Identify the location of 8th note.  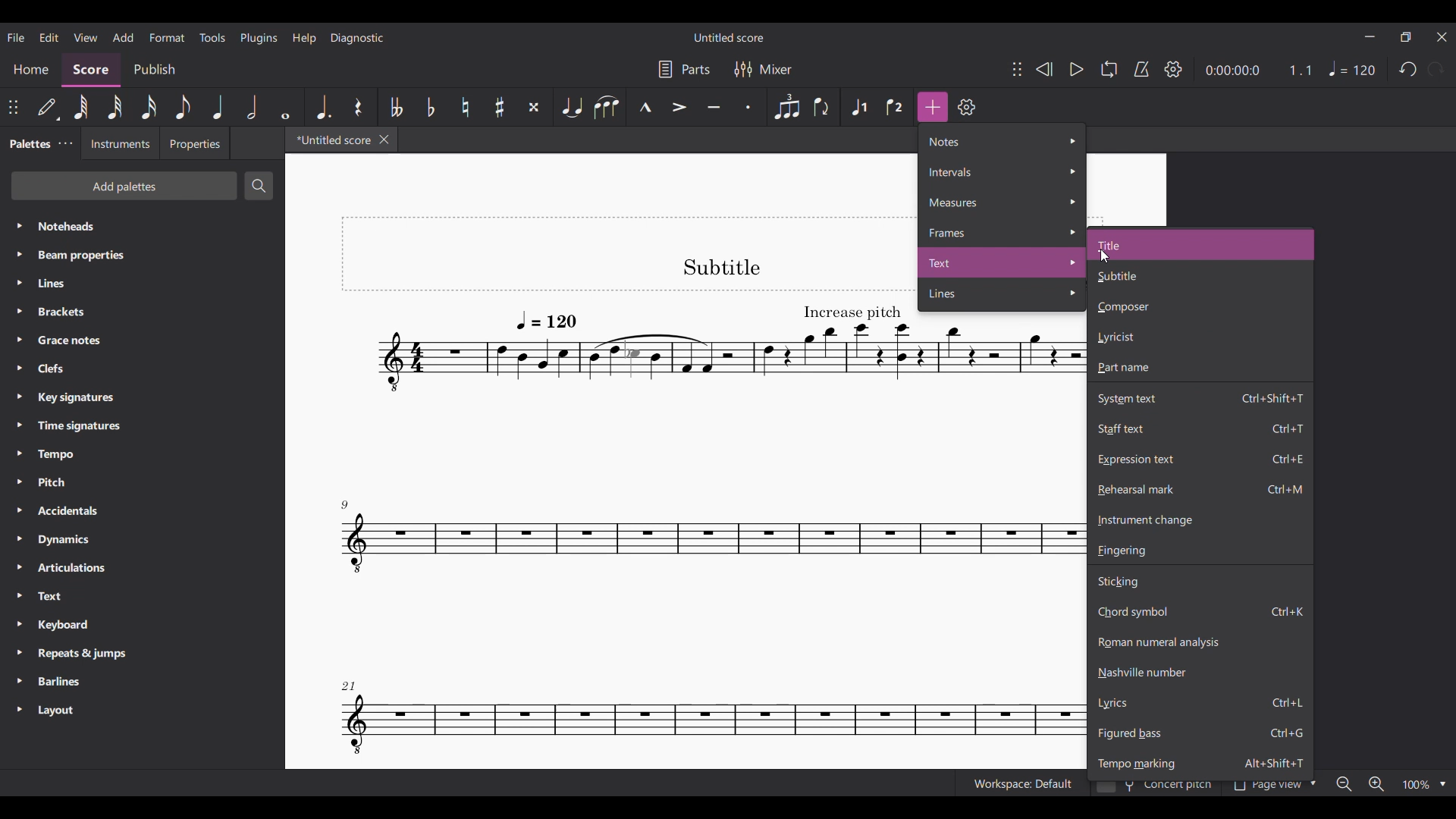
(182, 107).